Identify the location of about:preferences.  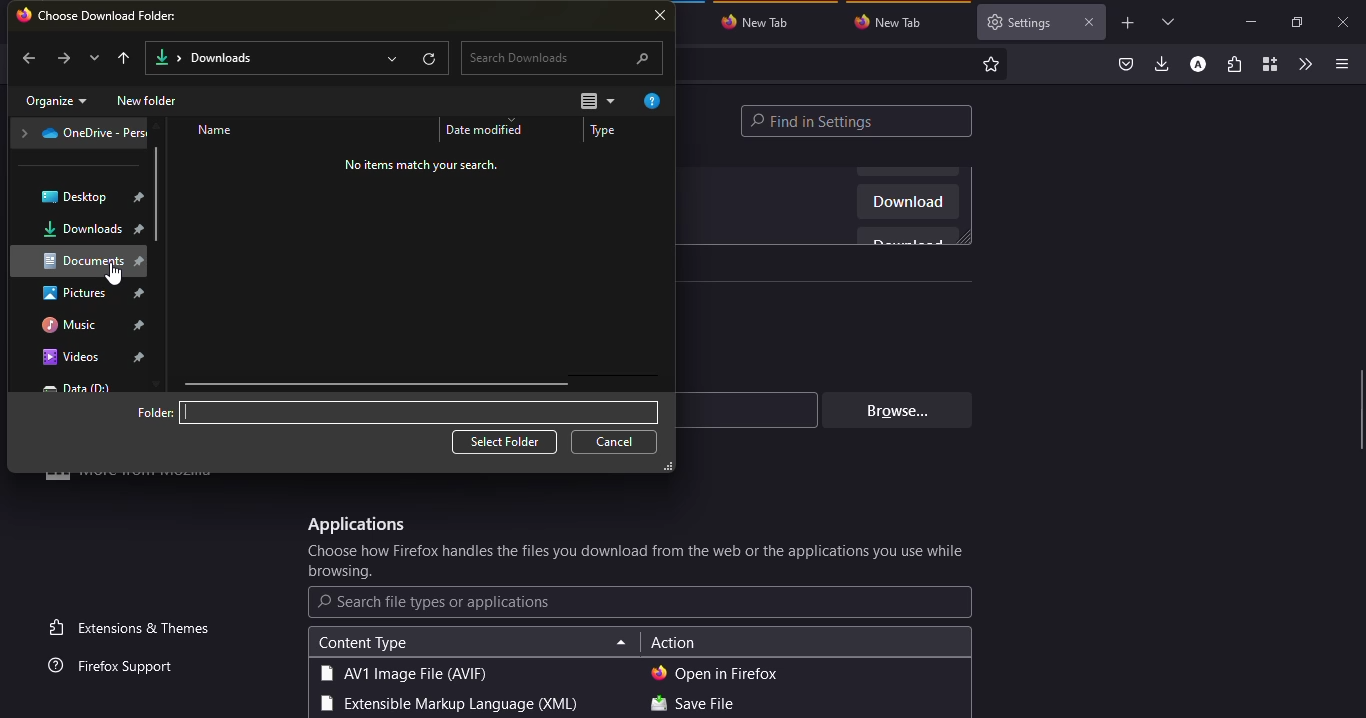
(841, 64).